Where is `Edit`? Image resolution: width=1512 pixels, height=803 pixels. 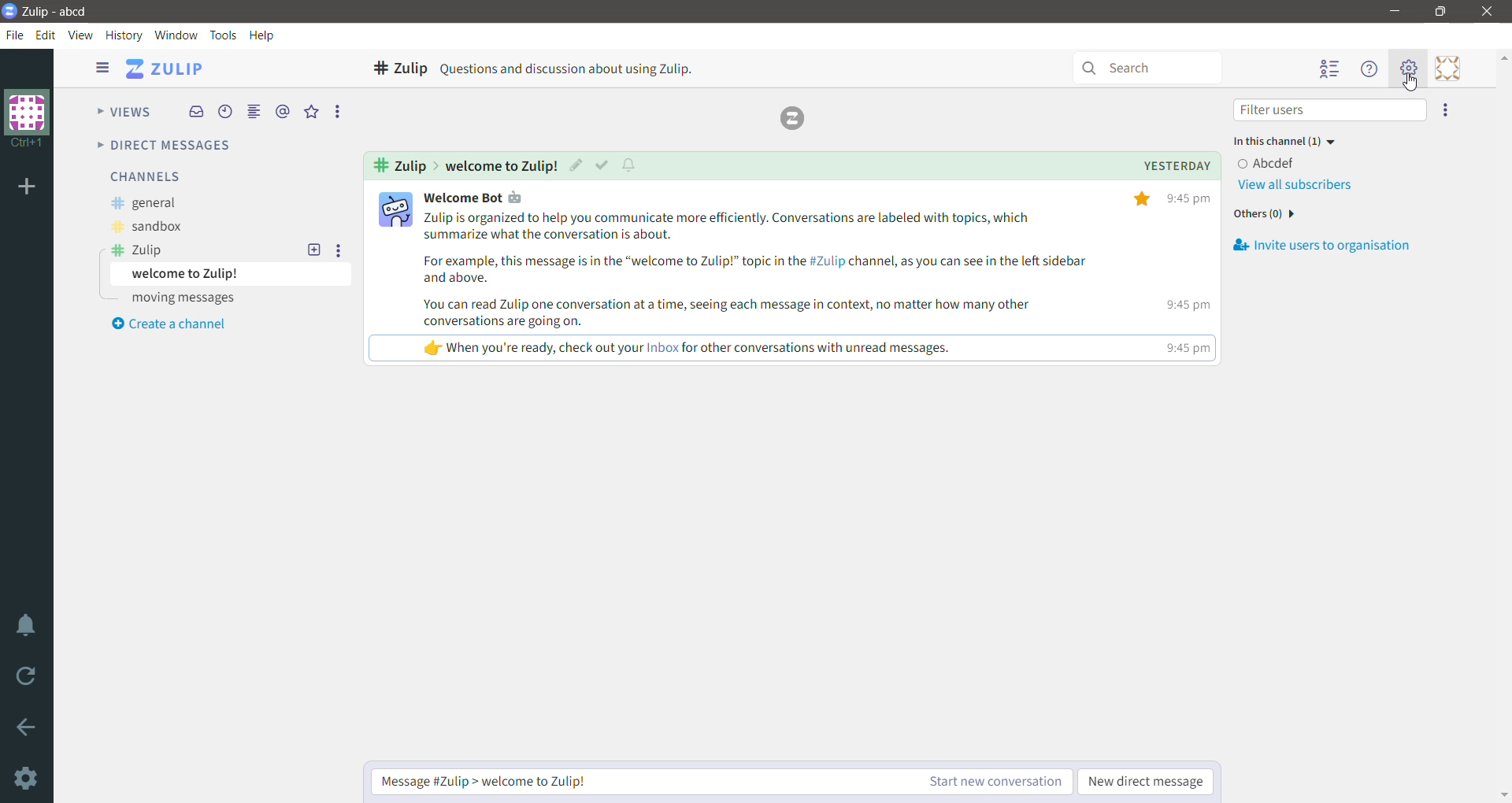
Edit is located at coordinates (48, 35).